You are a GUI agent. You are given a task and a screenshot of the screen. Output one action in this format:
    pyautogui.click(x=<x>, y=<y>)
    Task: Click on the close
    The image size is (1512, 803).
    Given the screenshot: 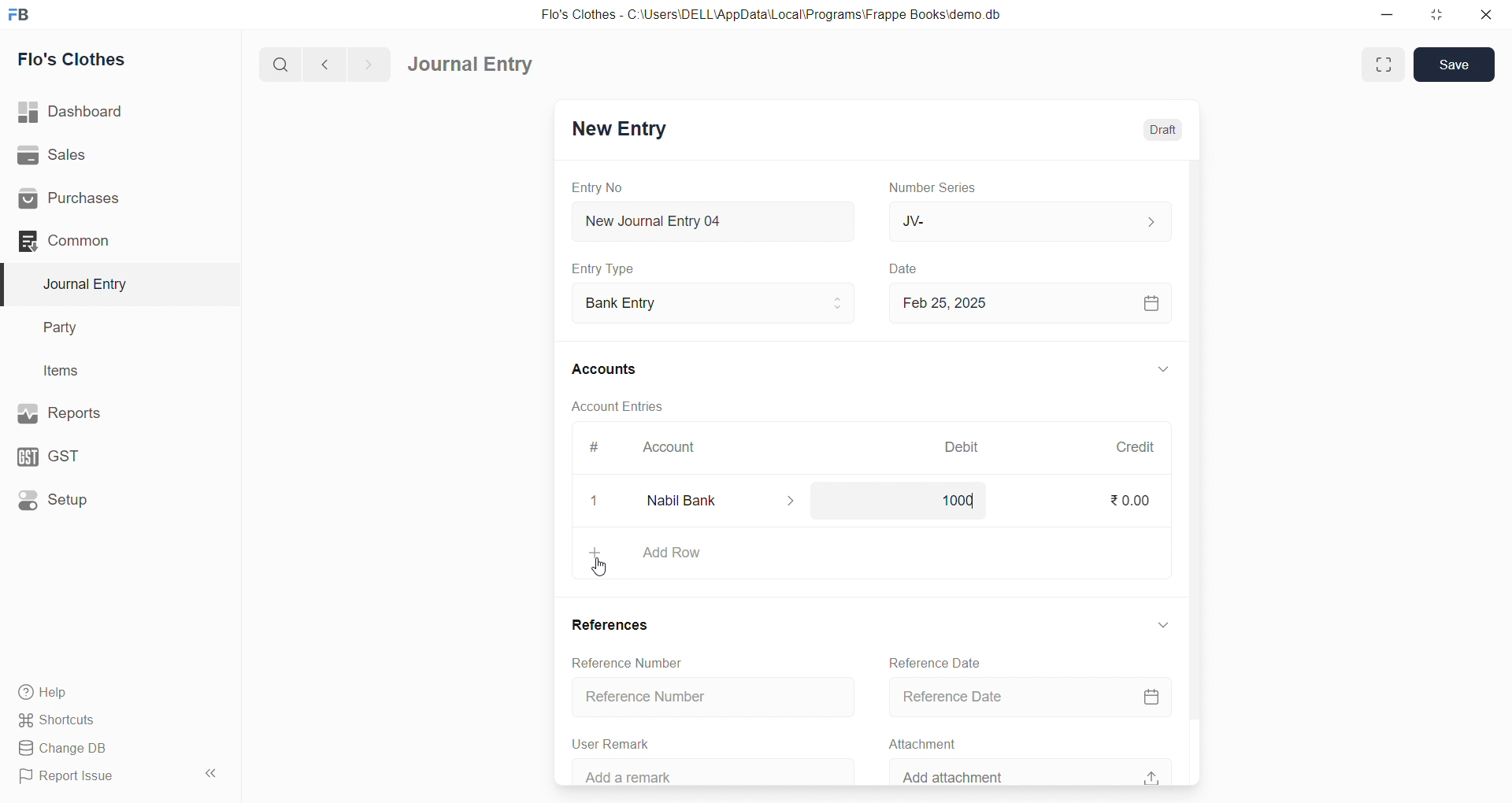 What is the action you would take?
    pyautogui.click(x=1480, y=14)
    